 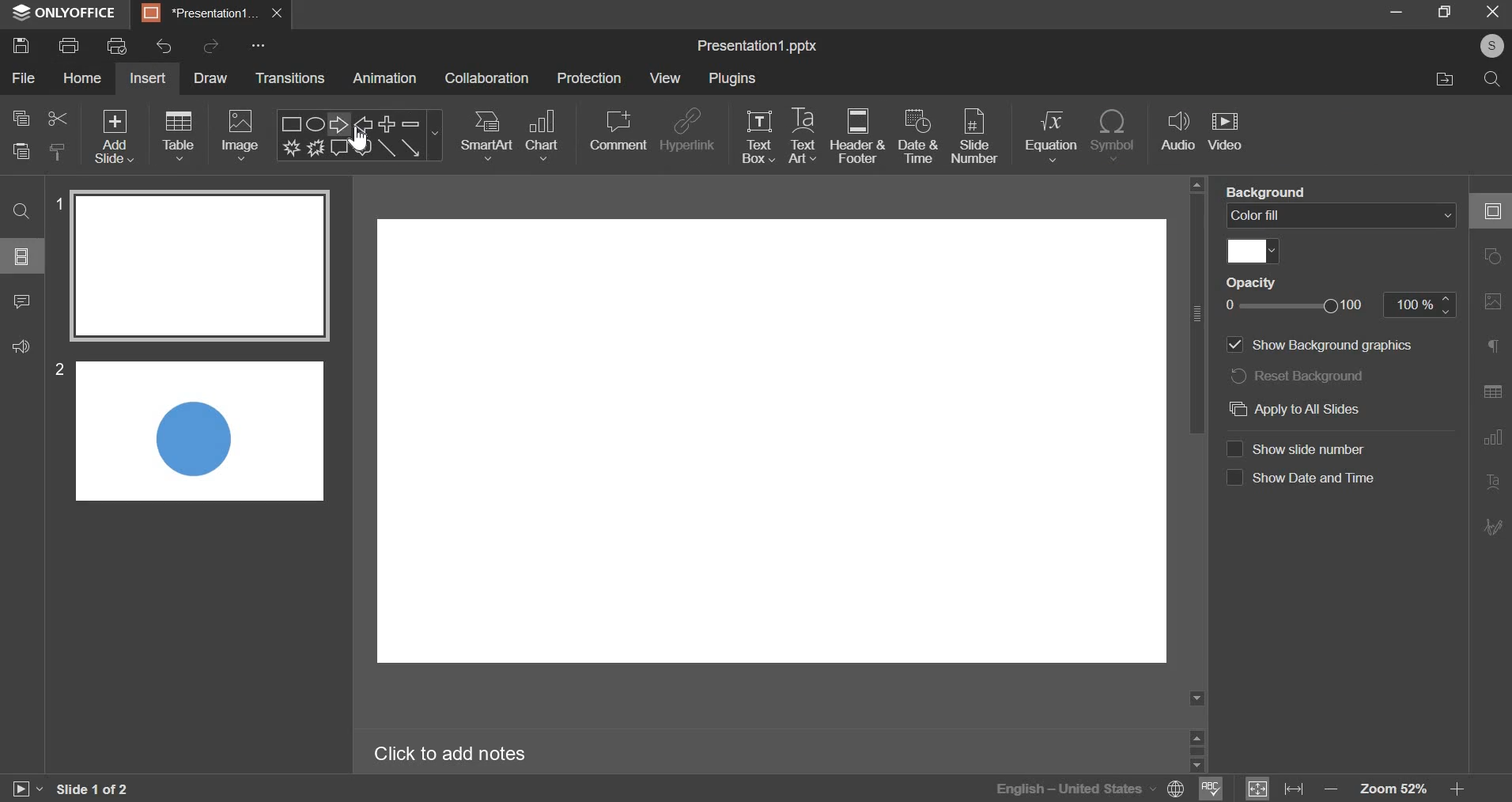 I want to click on cursor, so click(x=360, y=141).